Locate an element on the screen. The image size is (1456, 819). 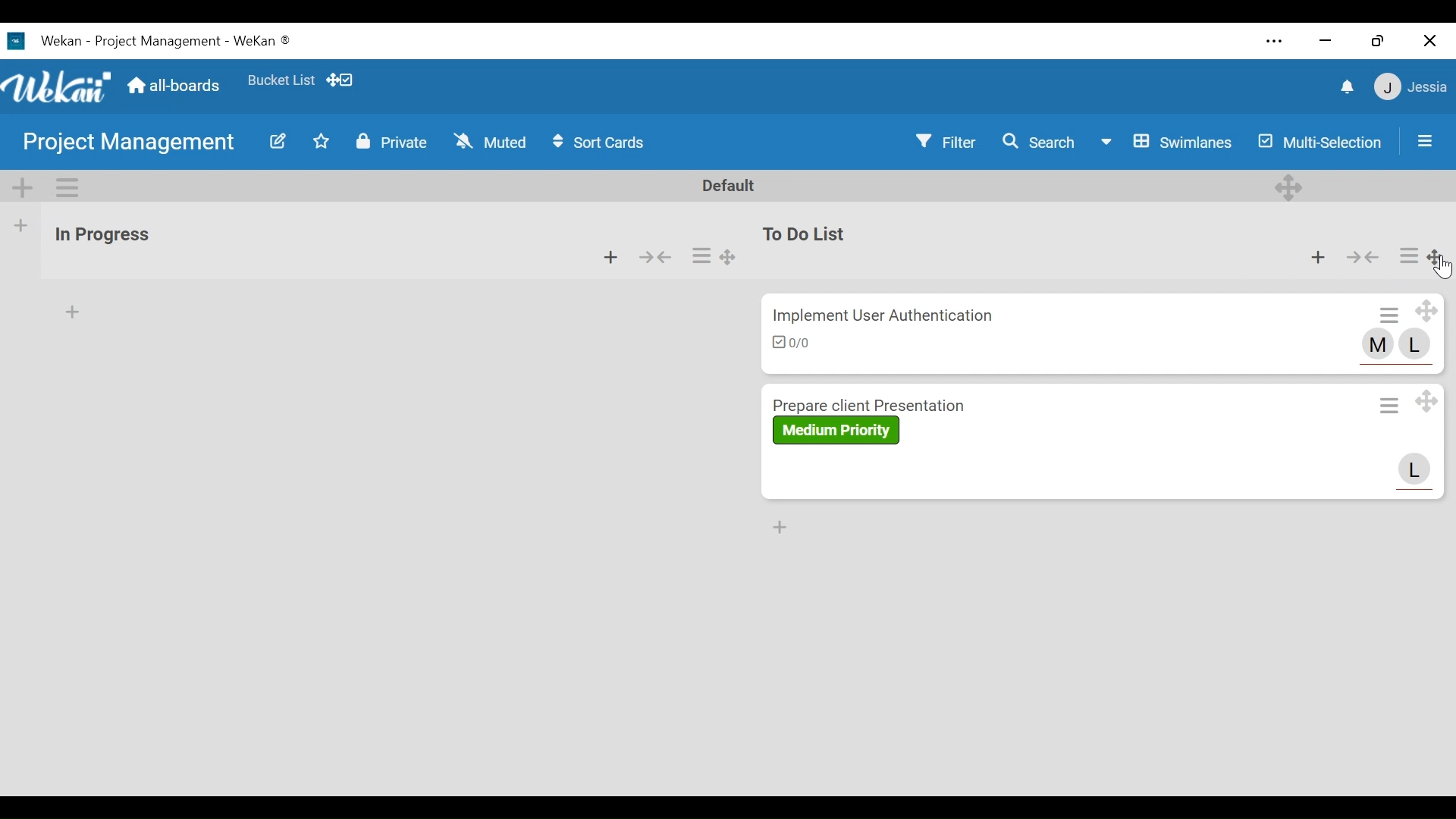
Default is located at coordinates (731, 187).